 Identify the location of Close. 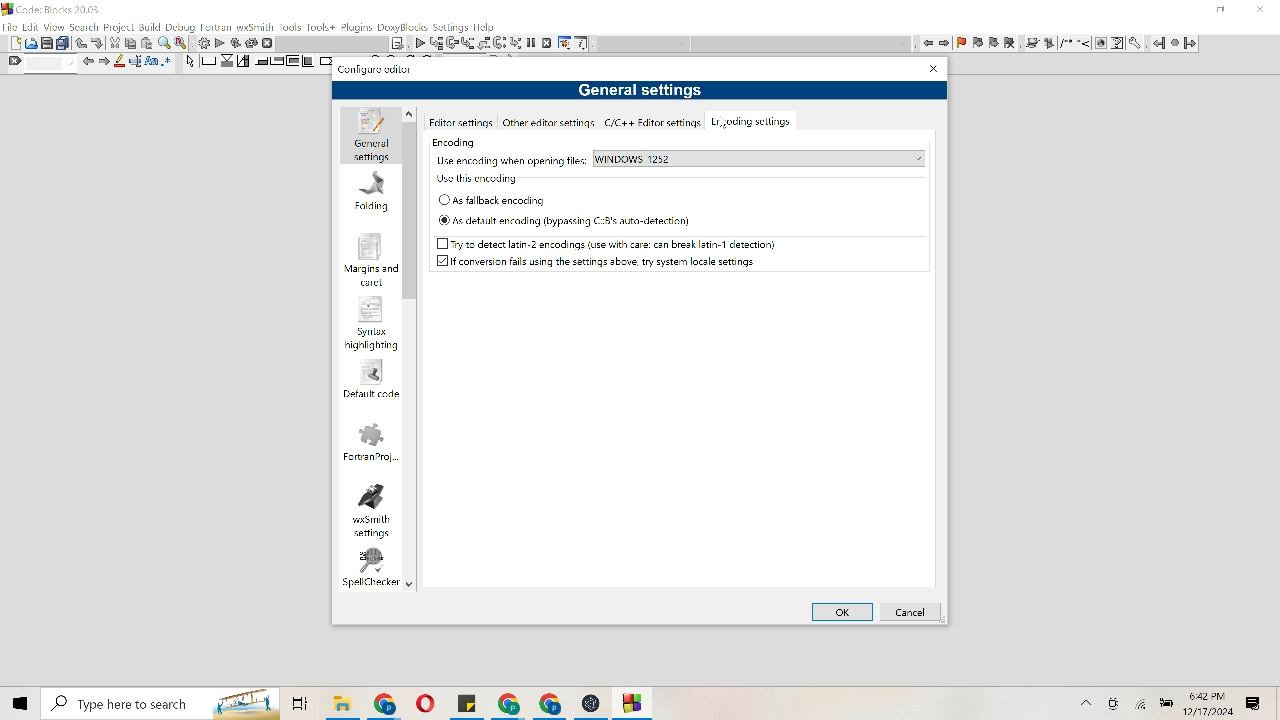
(1261, 10).